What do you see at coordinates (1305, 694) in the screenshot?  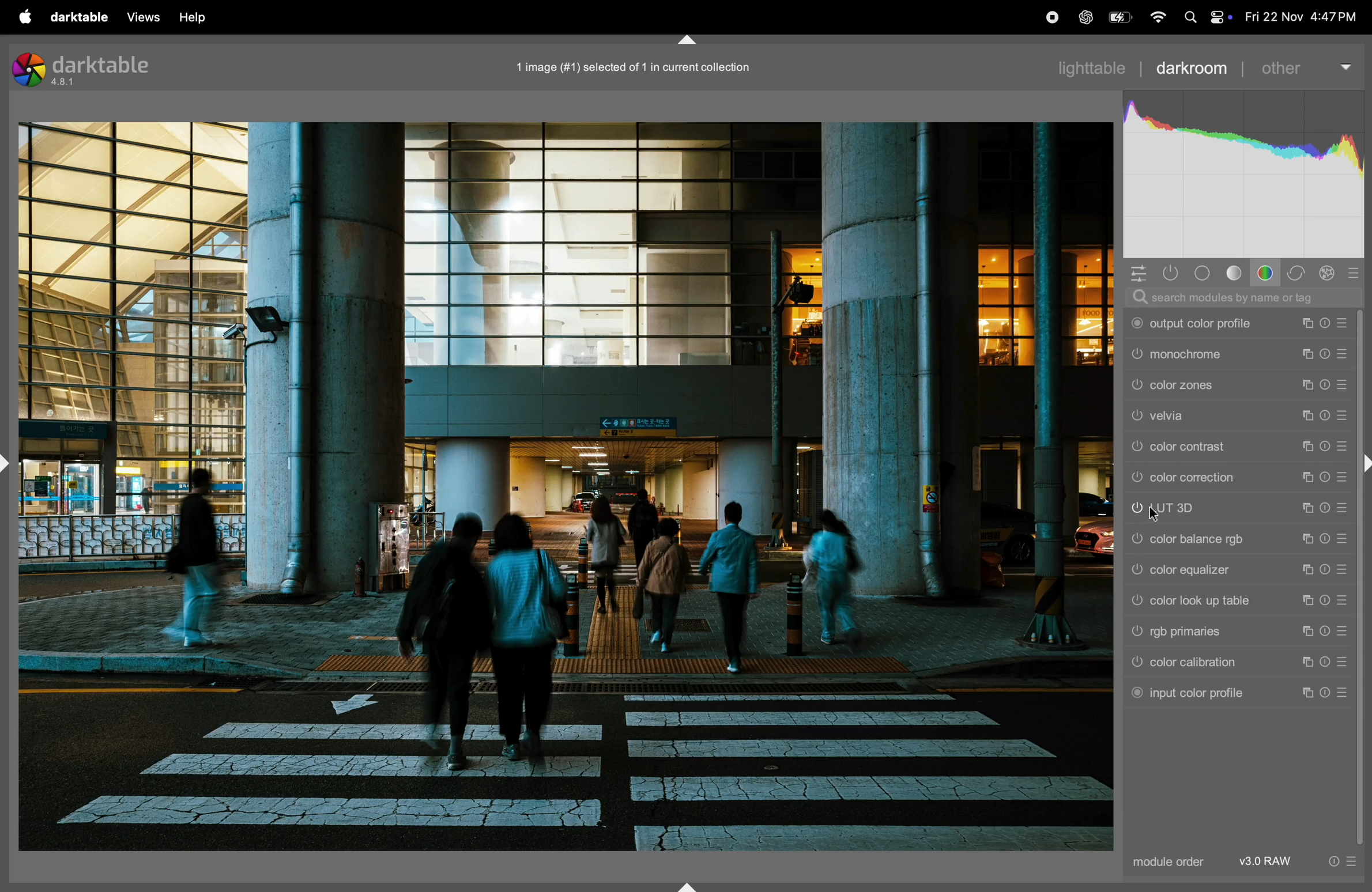 I see `multiple instance actions` at bounding box center [1305, 694].